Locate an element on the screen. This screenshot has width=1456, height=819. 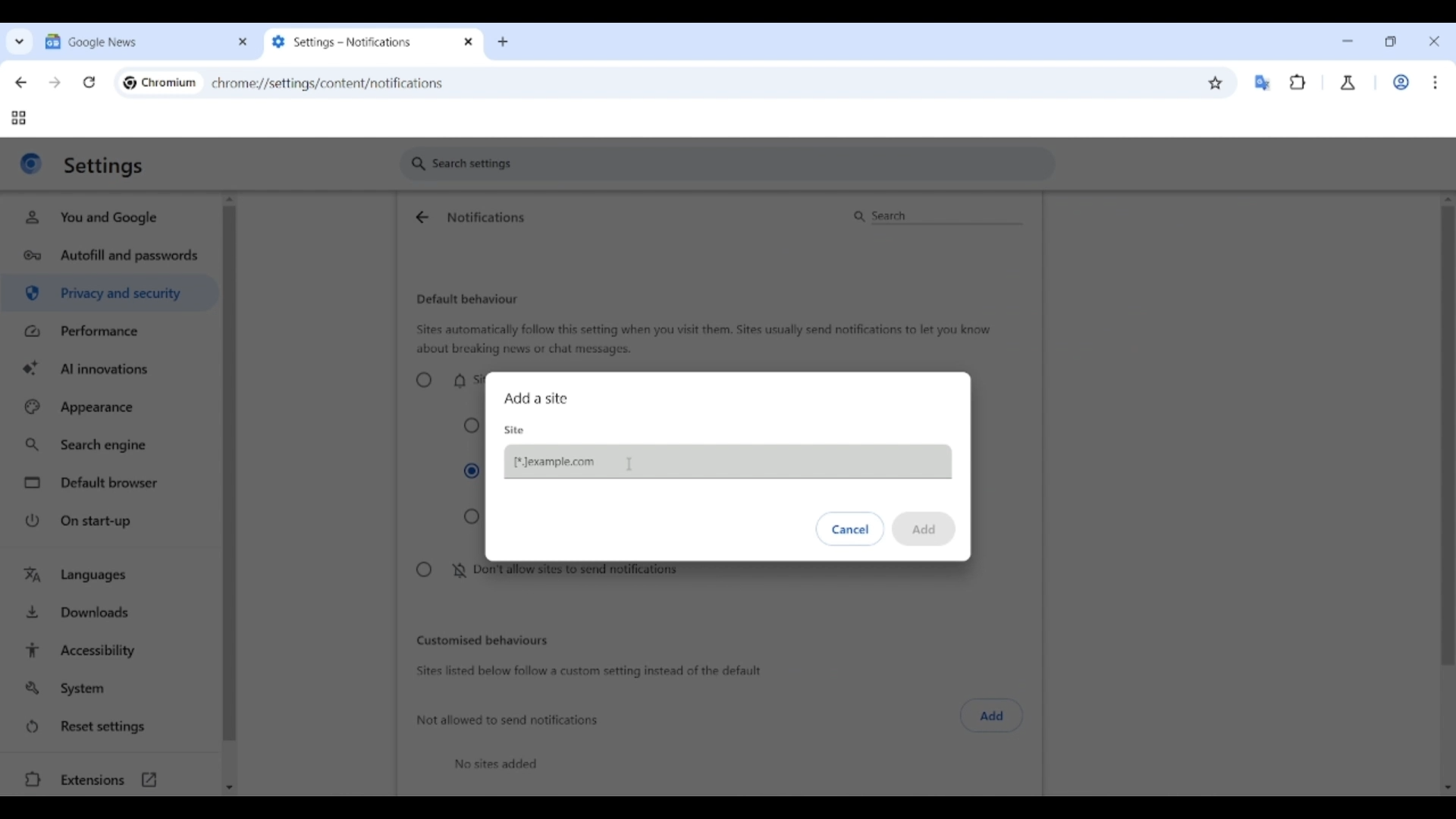
Not allowed to send notifications is located at coordinates (509, 720).